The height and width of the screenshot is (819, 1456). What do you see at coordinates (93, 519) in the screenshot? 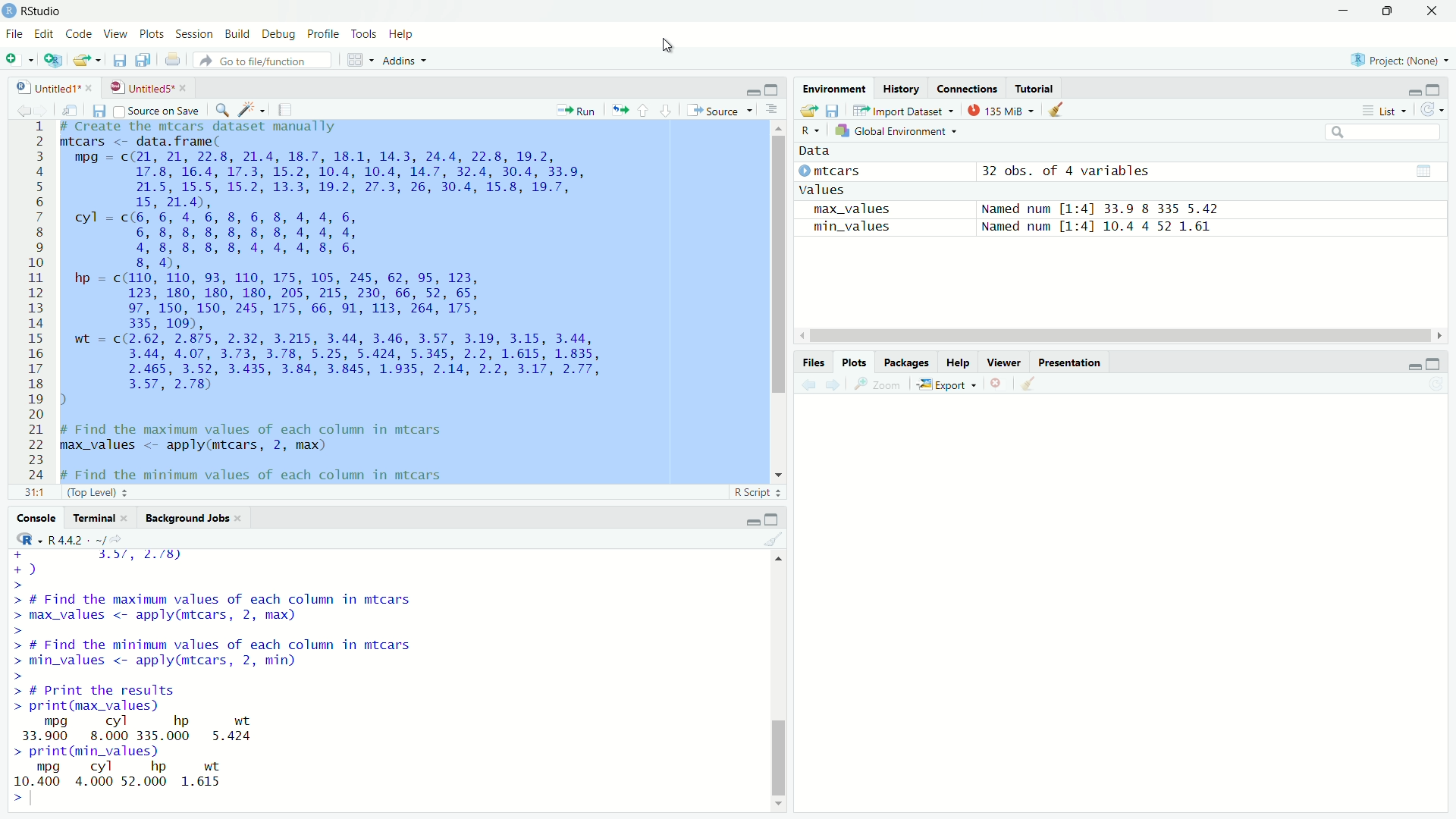
I see `Terminal` at bounding box center [93, 519].